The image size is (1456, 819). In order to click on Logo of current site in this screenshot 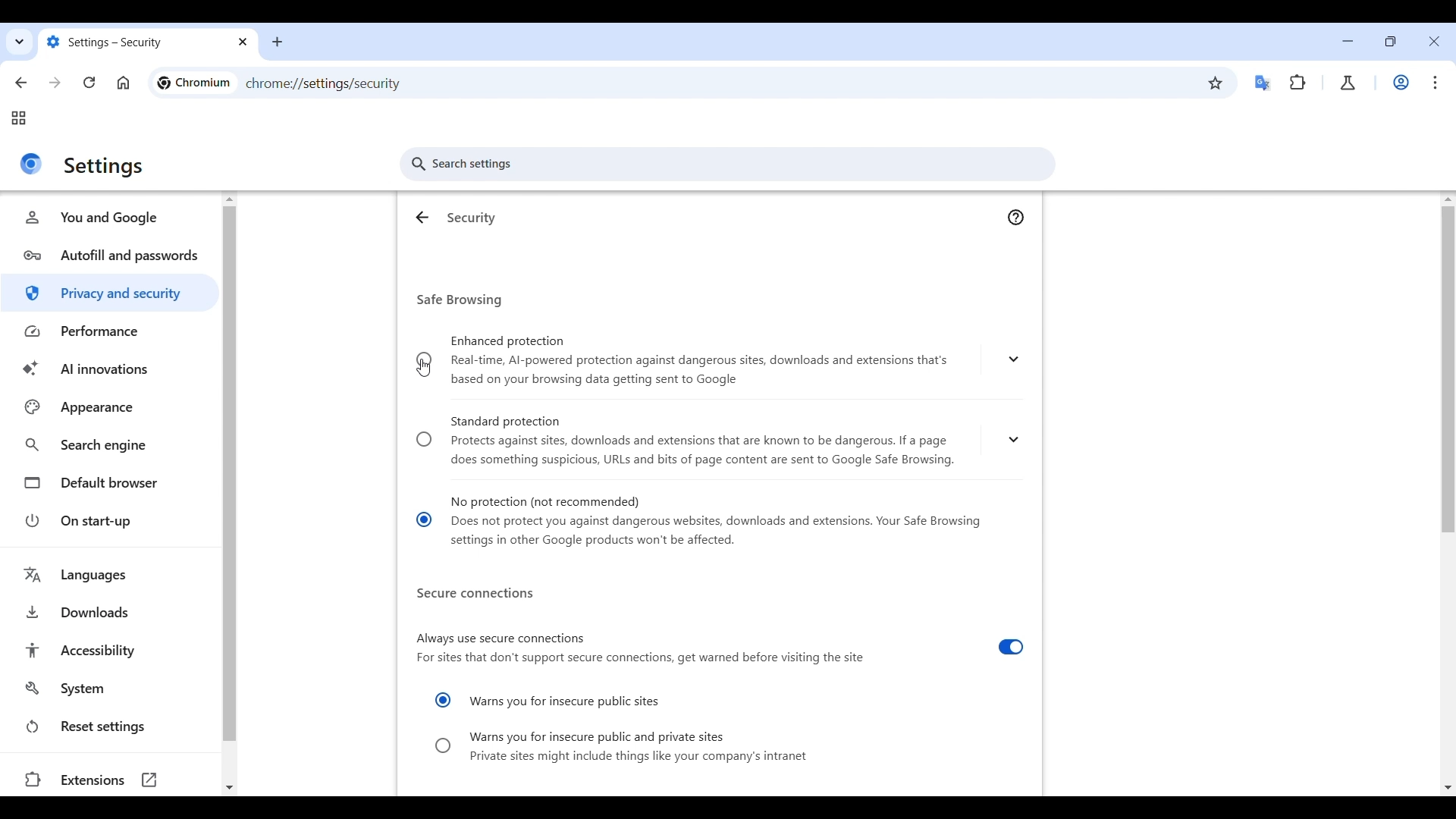, I will do `click(31, 165)`.